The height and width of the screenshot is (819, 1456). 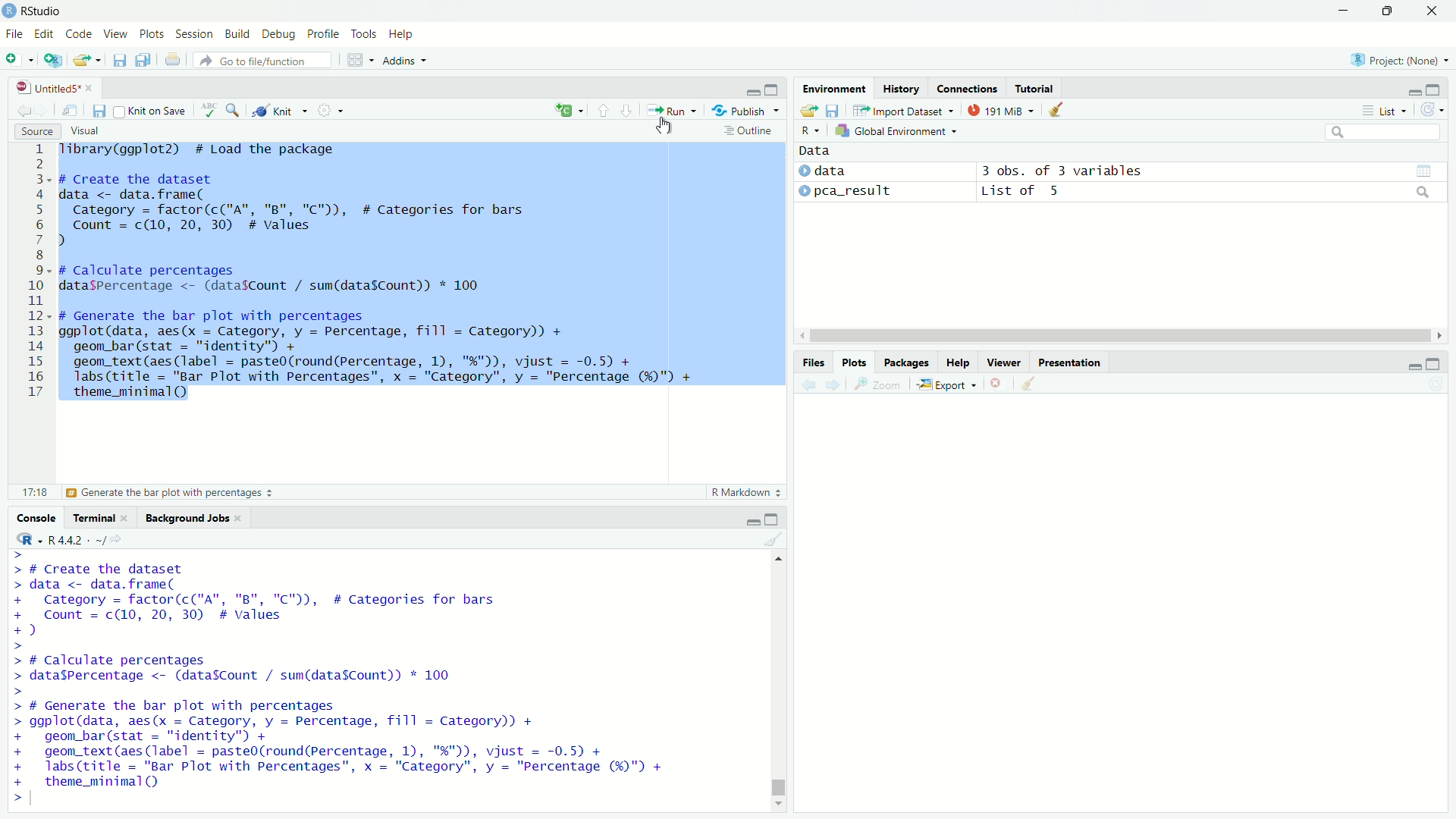 I want to click on R language, so click(x=27, y=538).